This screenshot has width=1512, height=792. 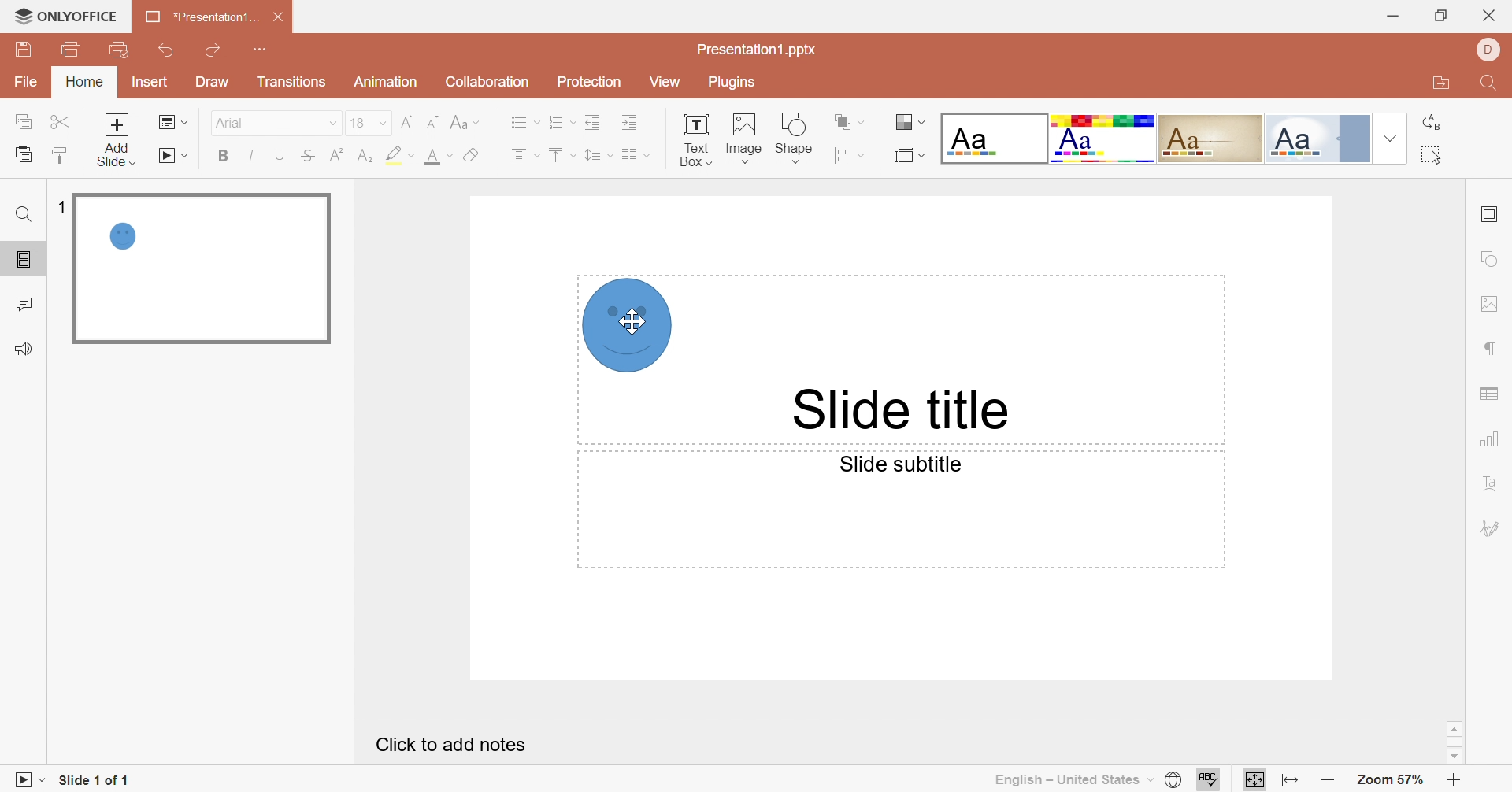 What do you see at coordinates (1440, 18) in the screenshot?
I see `Restore Down` at bounding box center [1440, 18].